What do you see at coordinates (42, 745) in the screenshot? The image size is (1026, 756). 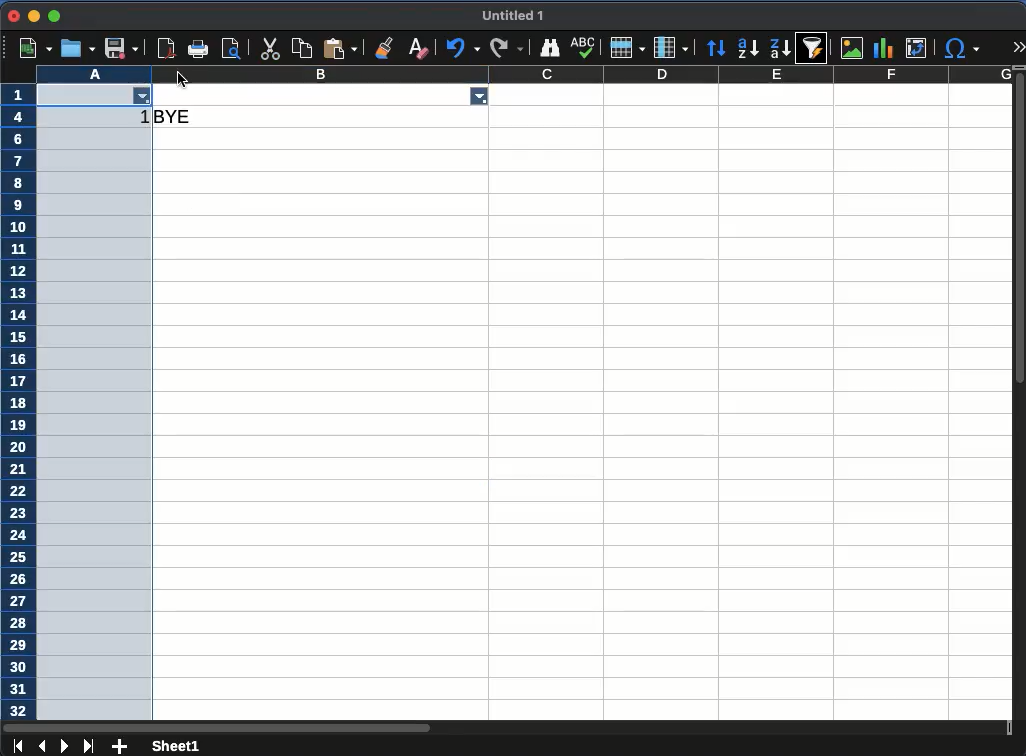 I see `previous sheet` at bounding box center [42, 745].